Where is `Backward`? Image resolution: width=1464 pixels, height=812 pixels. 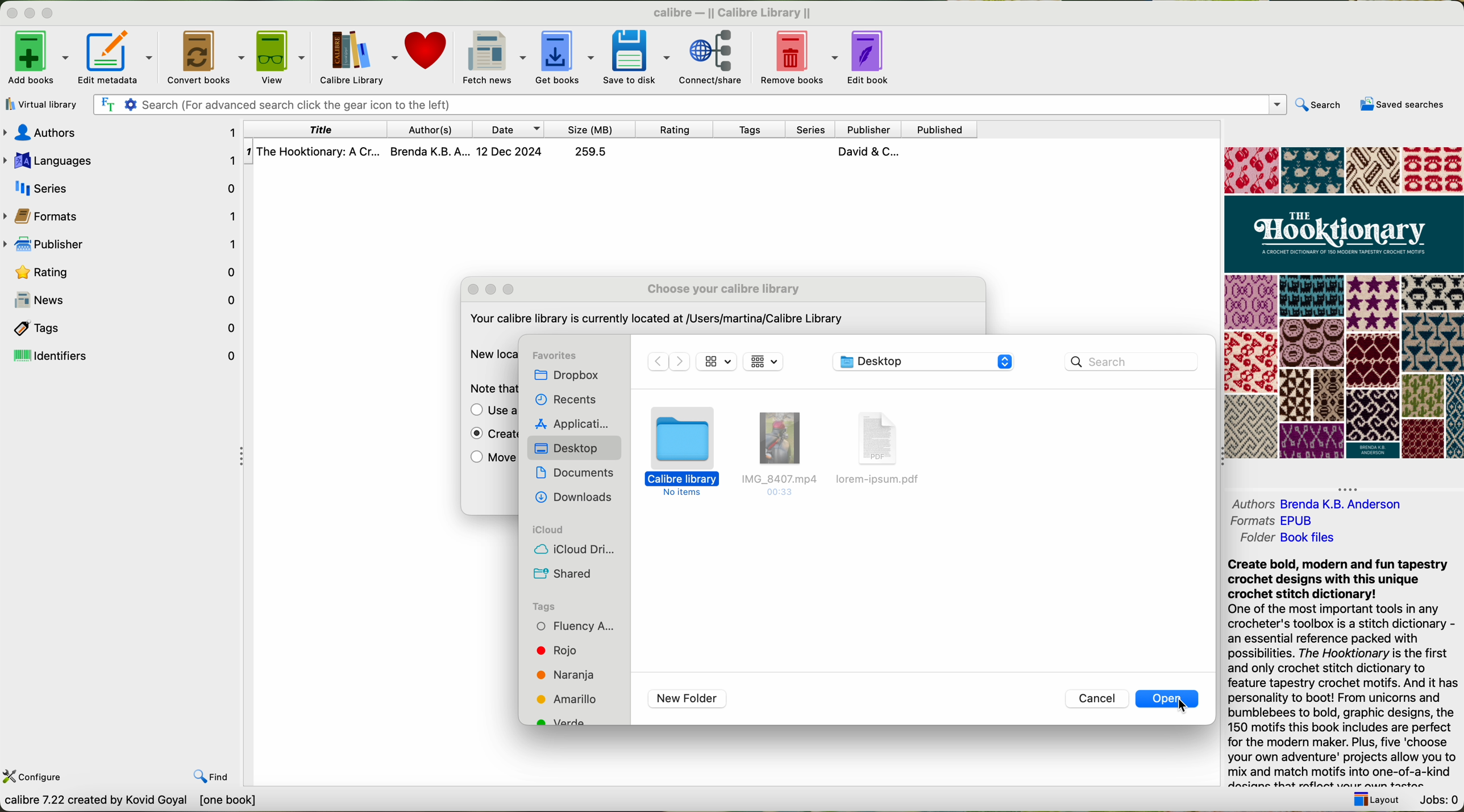 Backward is located at coordinates (659, 361).